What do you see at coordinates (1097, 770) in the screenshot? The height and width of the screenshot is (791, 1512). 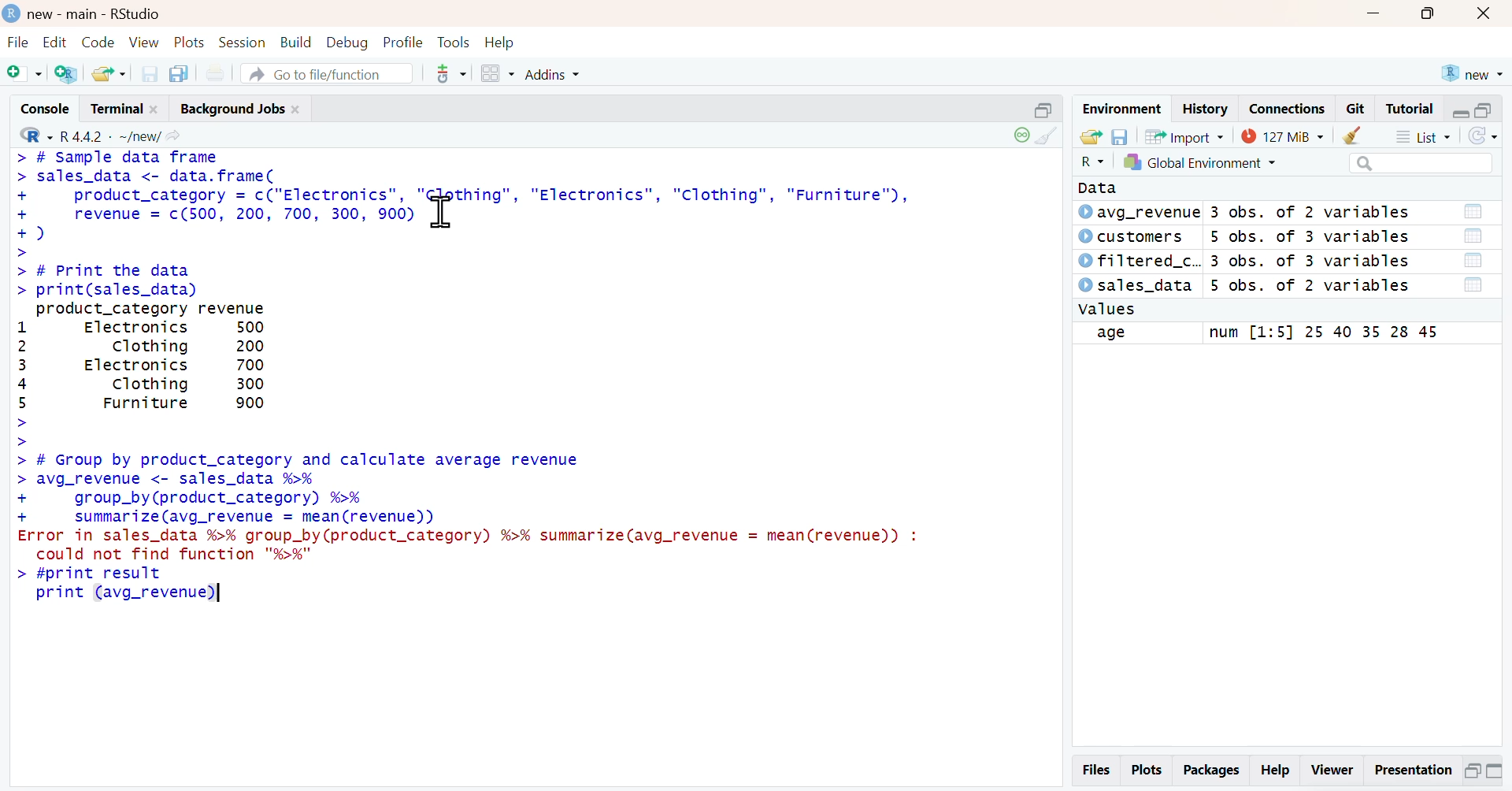 I see `Files` at bounding box center [1097, 770].